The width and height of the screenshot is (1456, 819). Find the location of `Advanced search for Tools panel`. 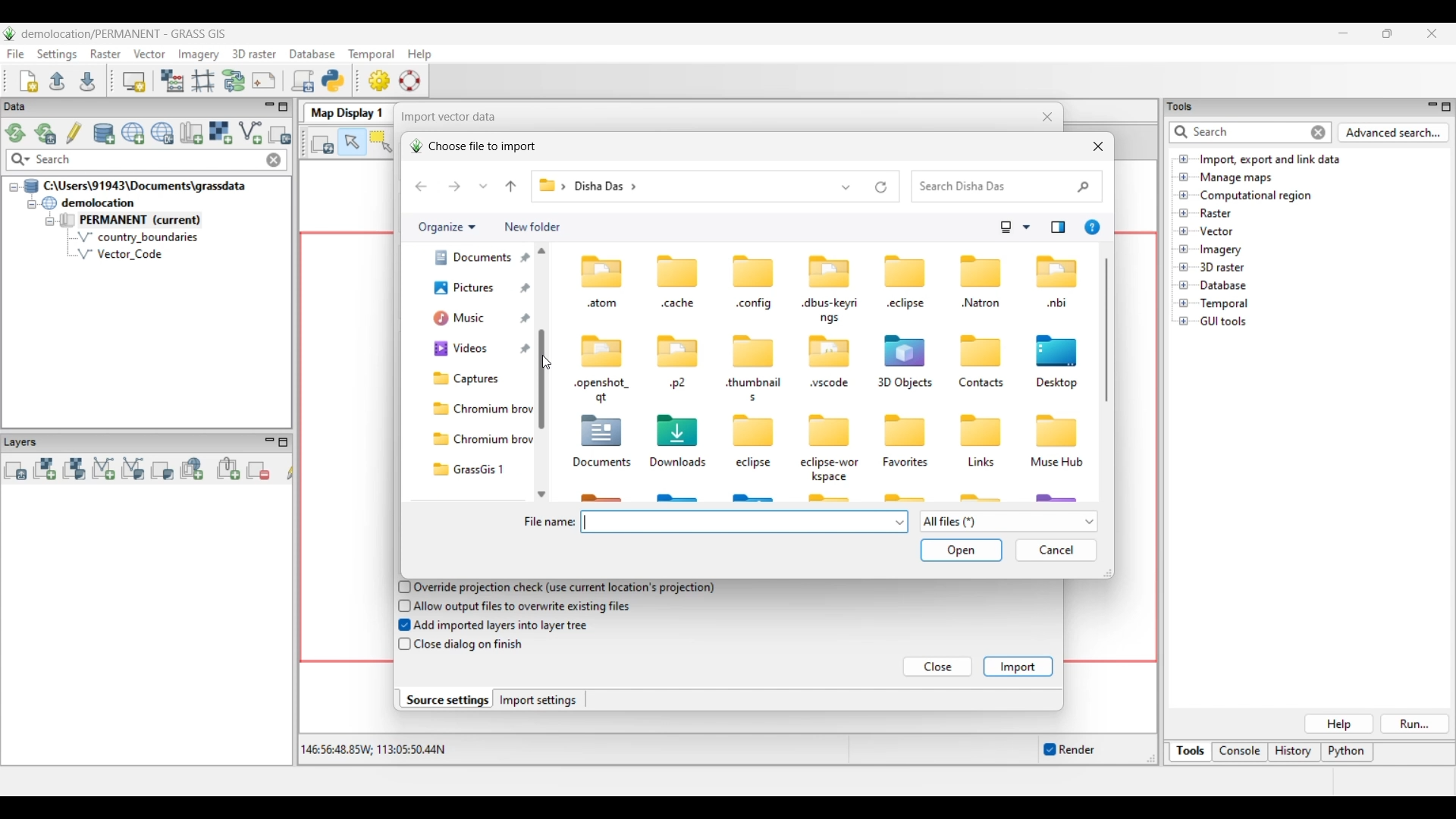

Advanced search for Tools panel is located at coordinates (1394, 133).